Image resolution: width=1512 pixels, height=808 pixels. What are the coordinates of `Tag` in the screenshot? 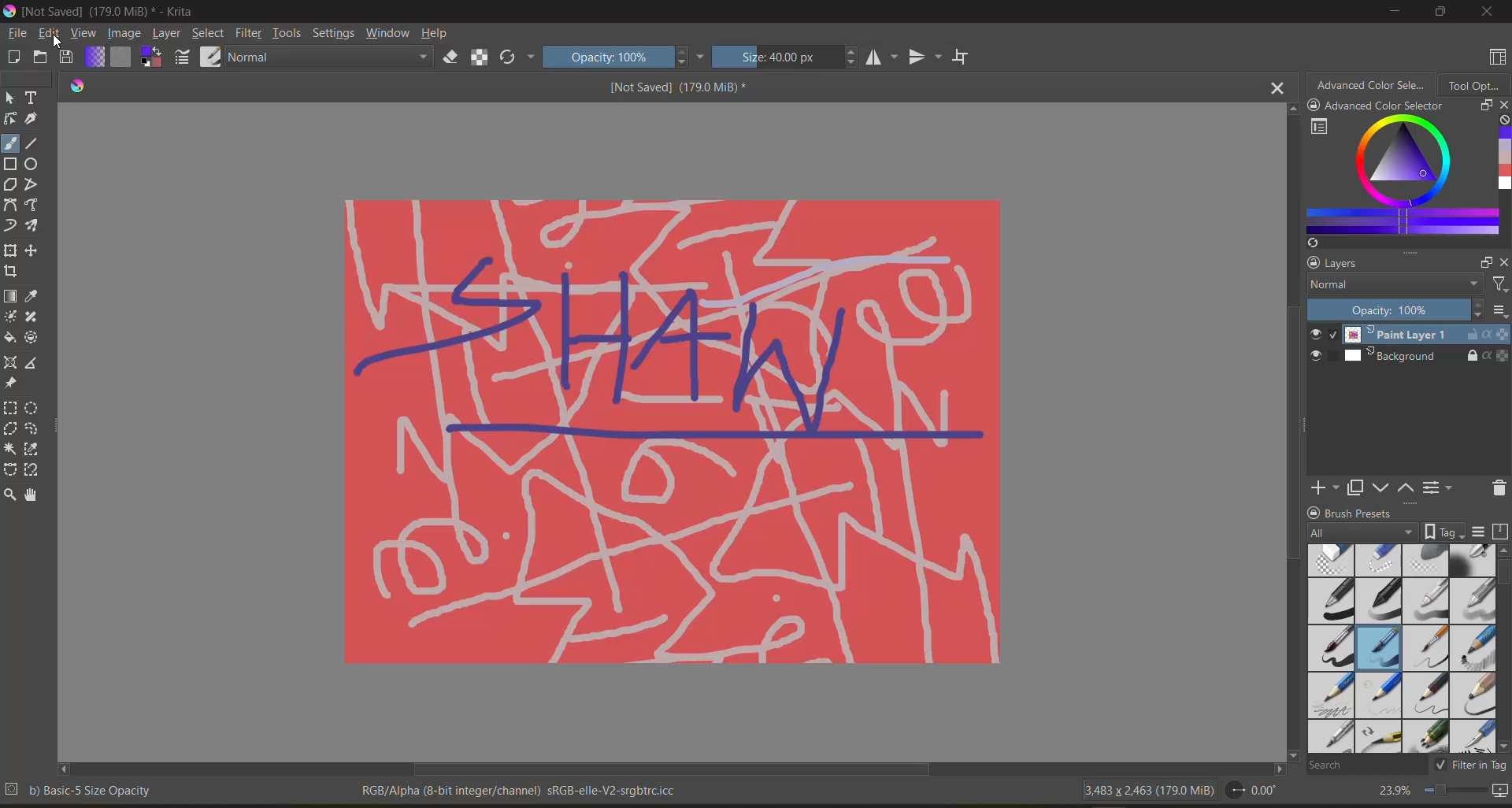 It's located at (1445, 532).